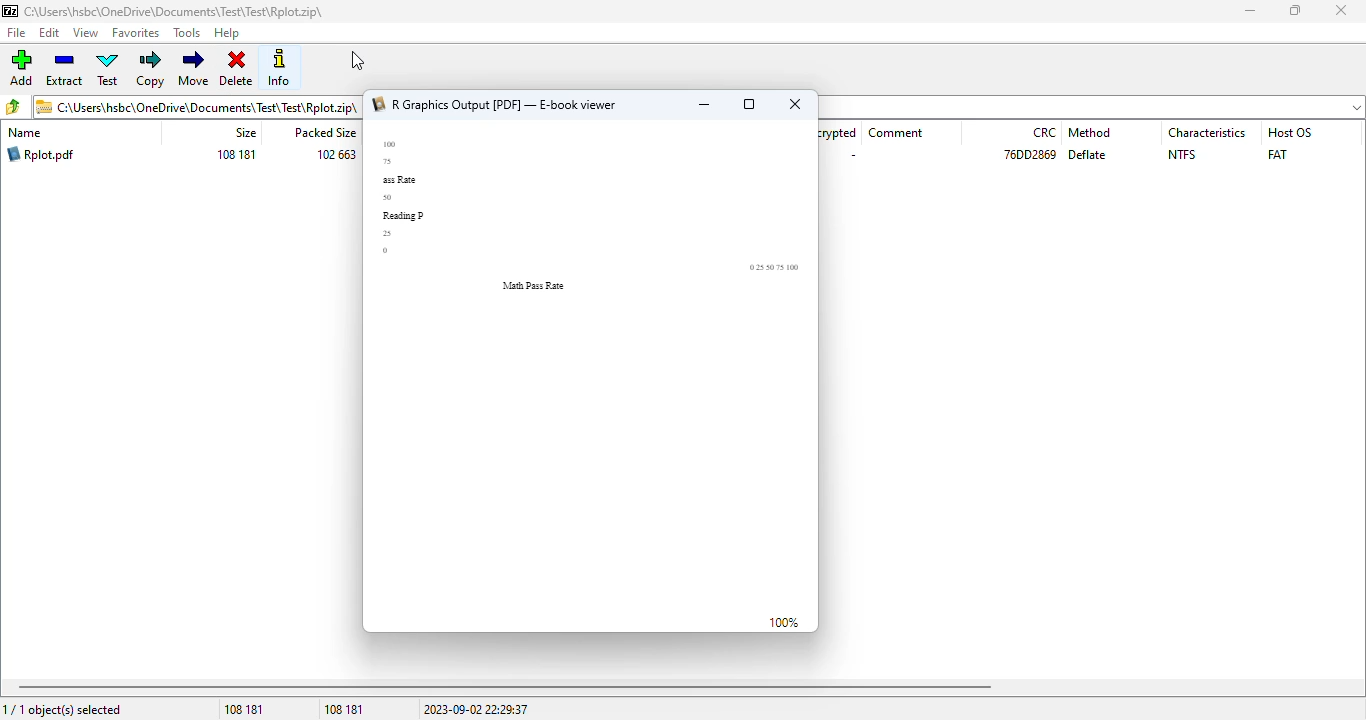 This screenshot has width=1366, height=720. Describe the element at coordinates (1249, 11) in the screenshot. I see `minimize` at that location.